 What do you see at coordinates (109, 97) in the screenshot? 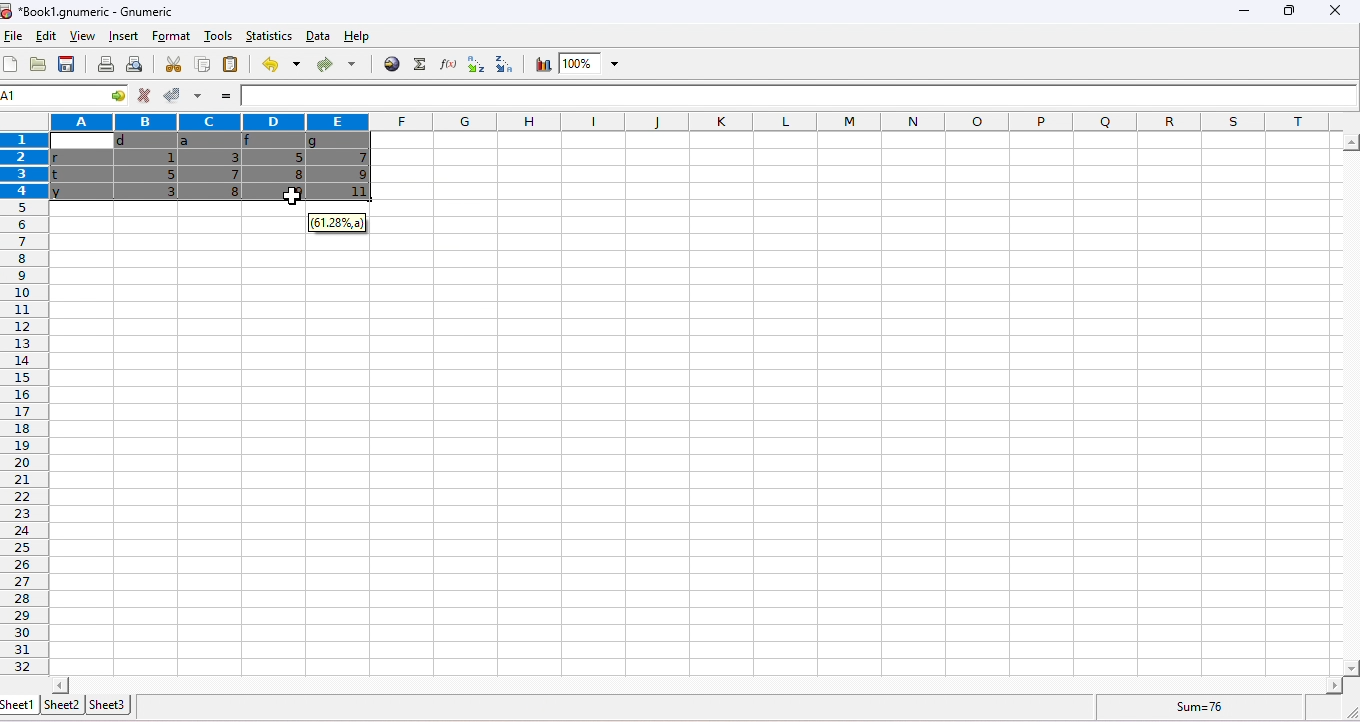
I see `cell functions` at bounding box center [109, 97].